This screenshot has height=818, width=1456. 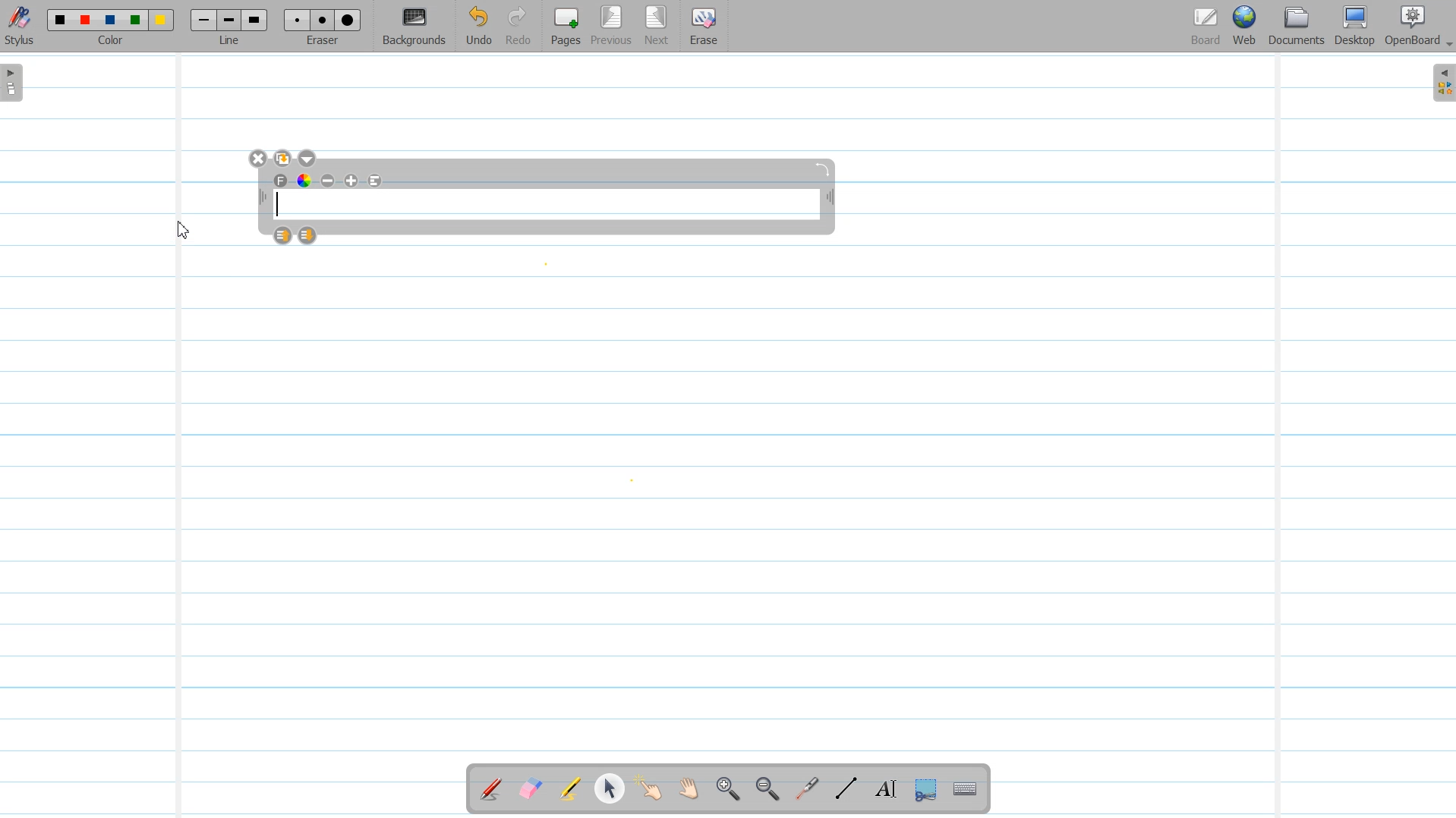 I want to click on Line, so click(x=231, y=26).